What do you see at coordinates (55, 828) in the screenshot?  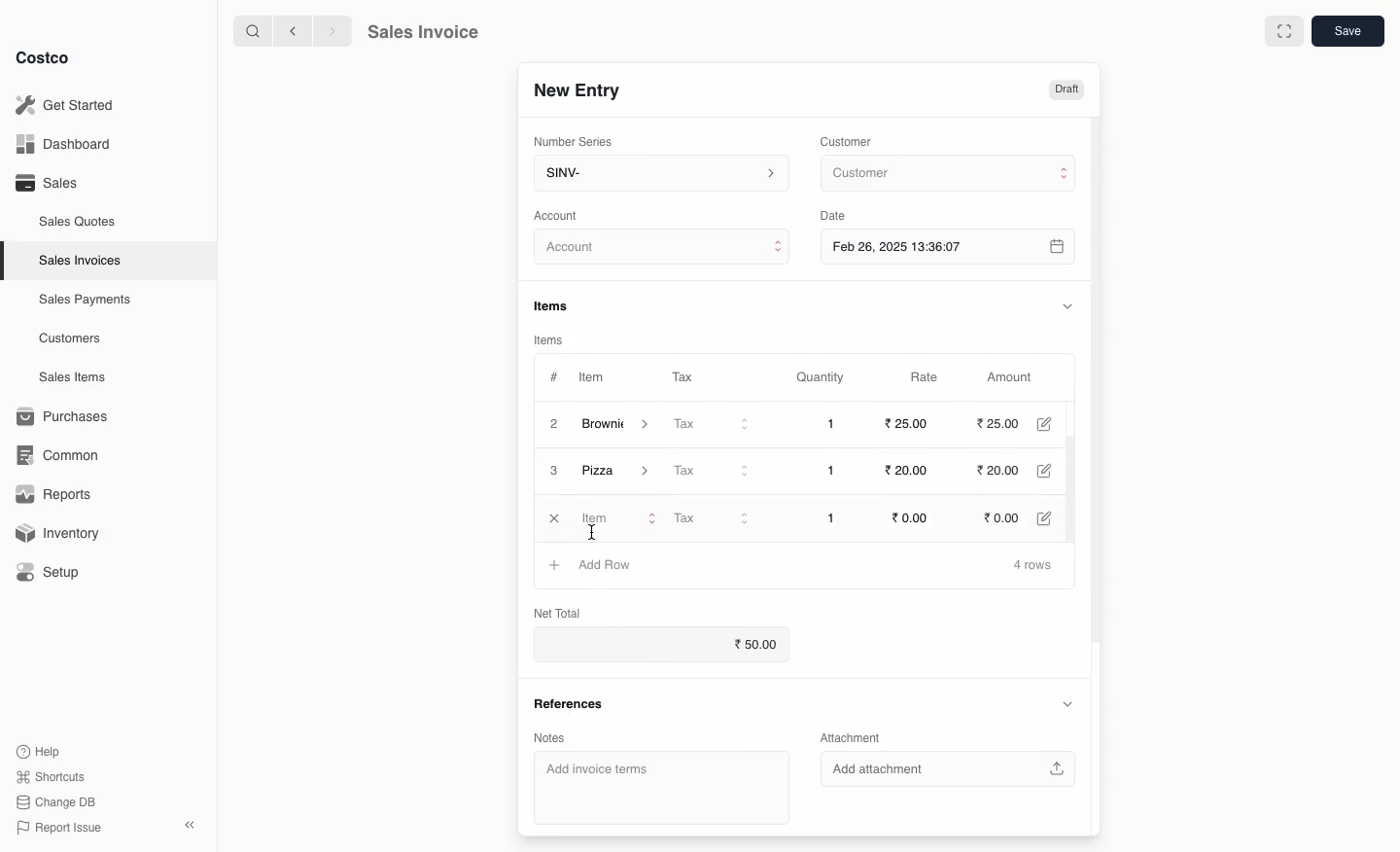 I see `Report Issue` at bounding box center [55, 828].